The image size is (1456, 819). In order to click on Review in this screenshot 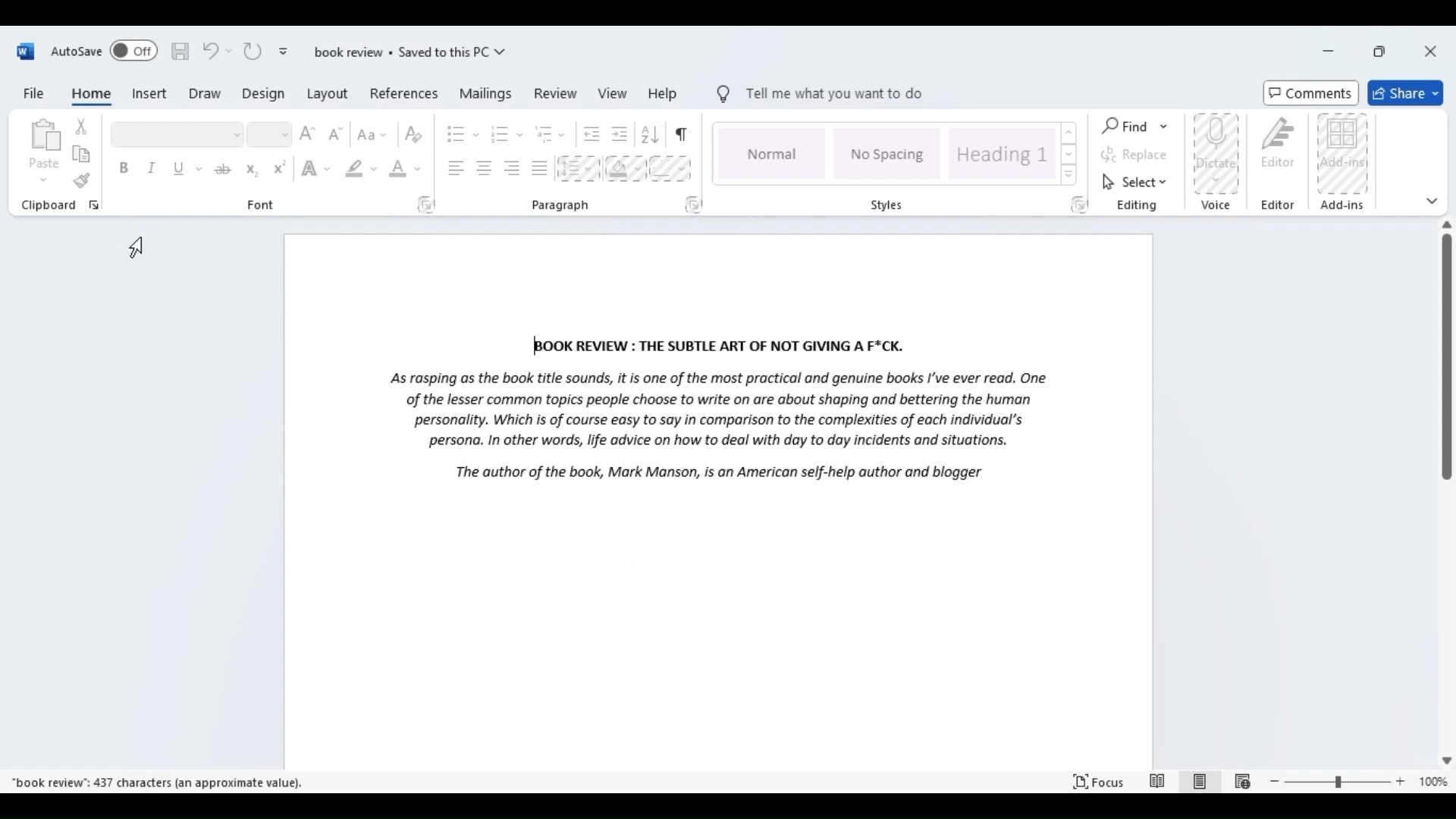, I will do `click(555, 95)`.